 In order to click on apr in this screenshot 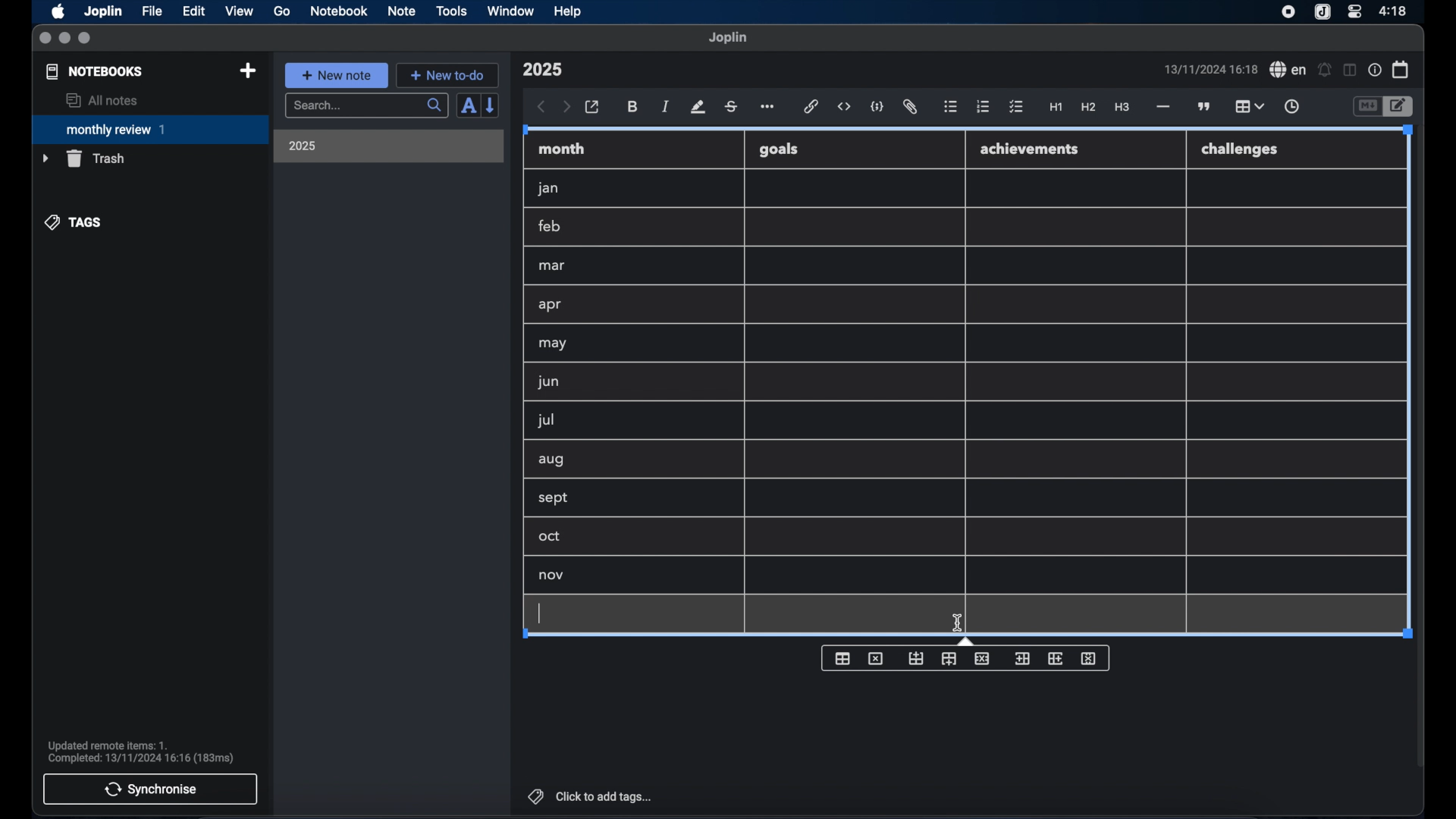, I will do `click(551, 305)`.